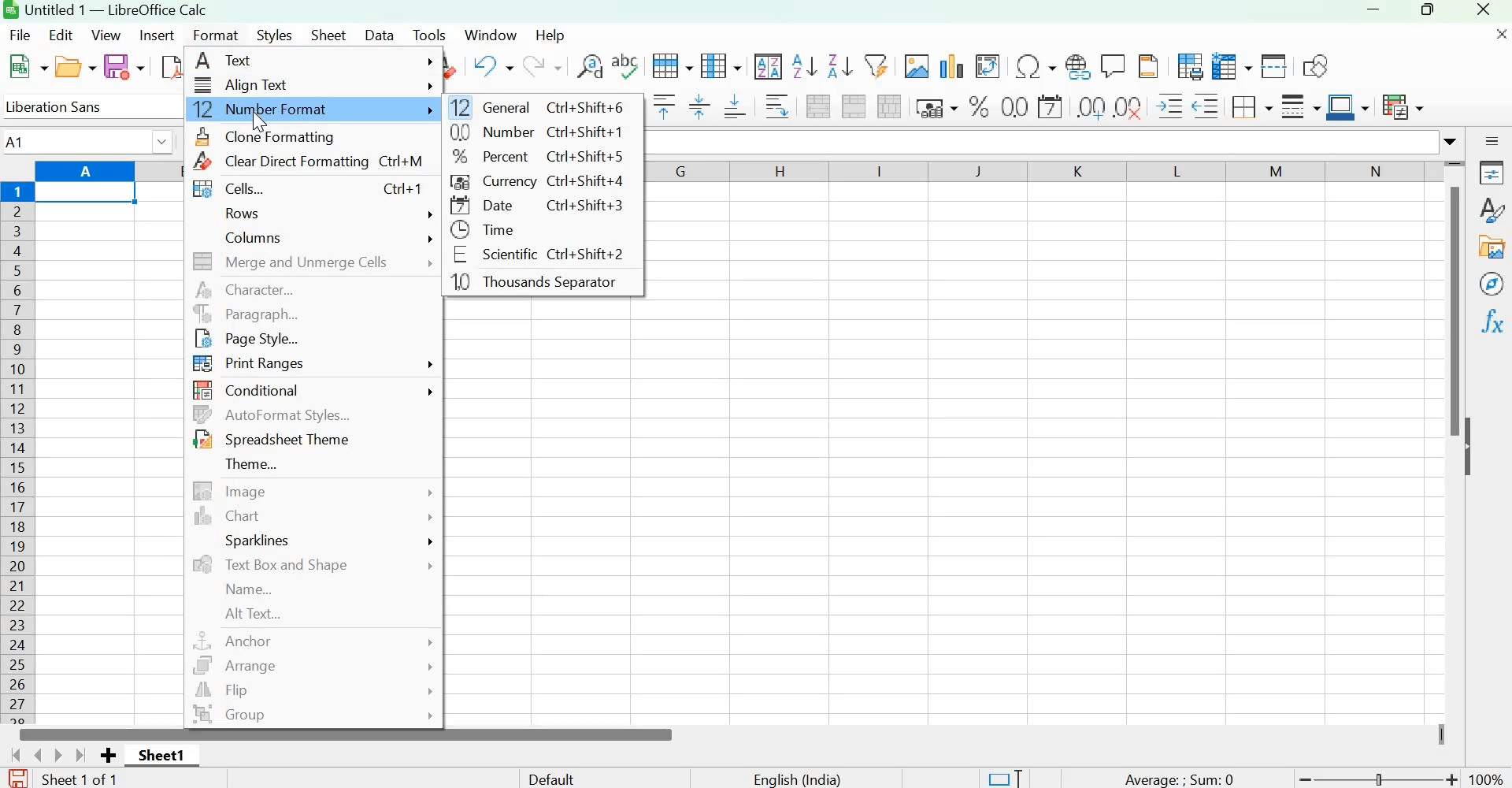 The width and height of the screenshot is (1512, 788). I want to click on Cells, so click(307, 188).